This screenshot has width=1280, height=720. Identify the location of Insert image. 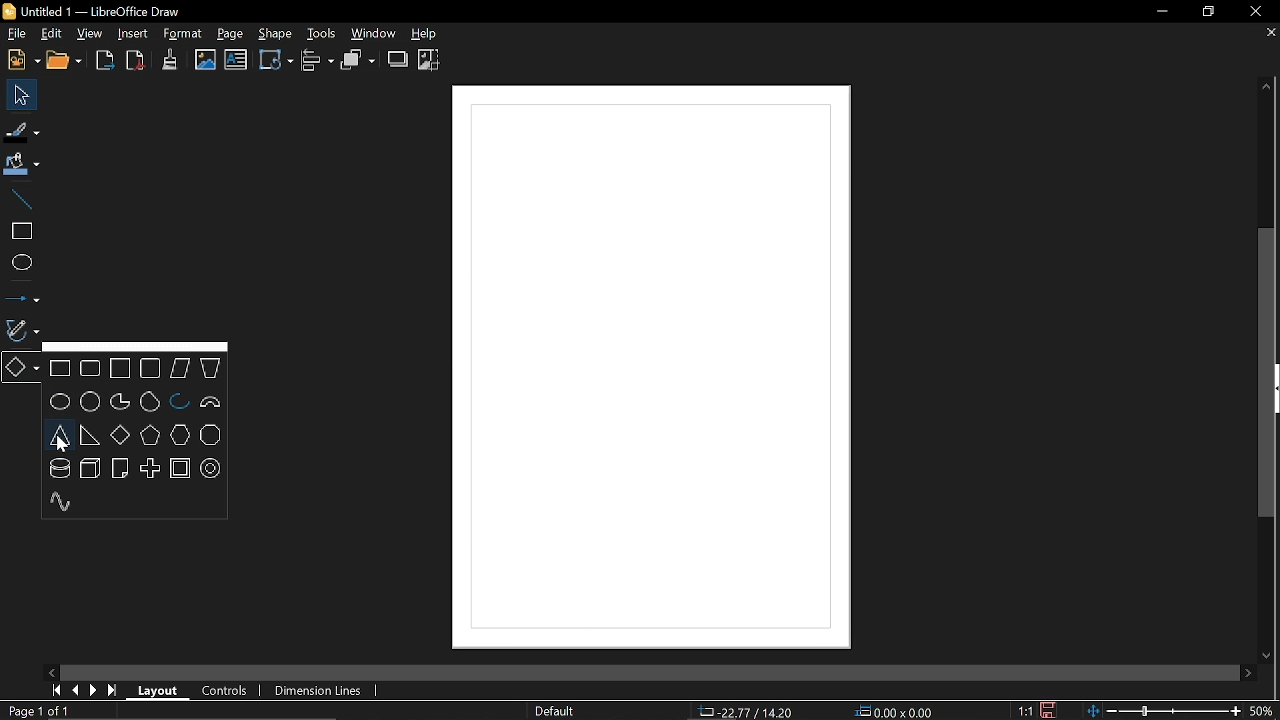
(236, 60).